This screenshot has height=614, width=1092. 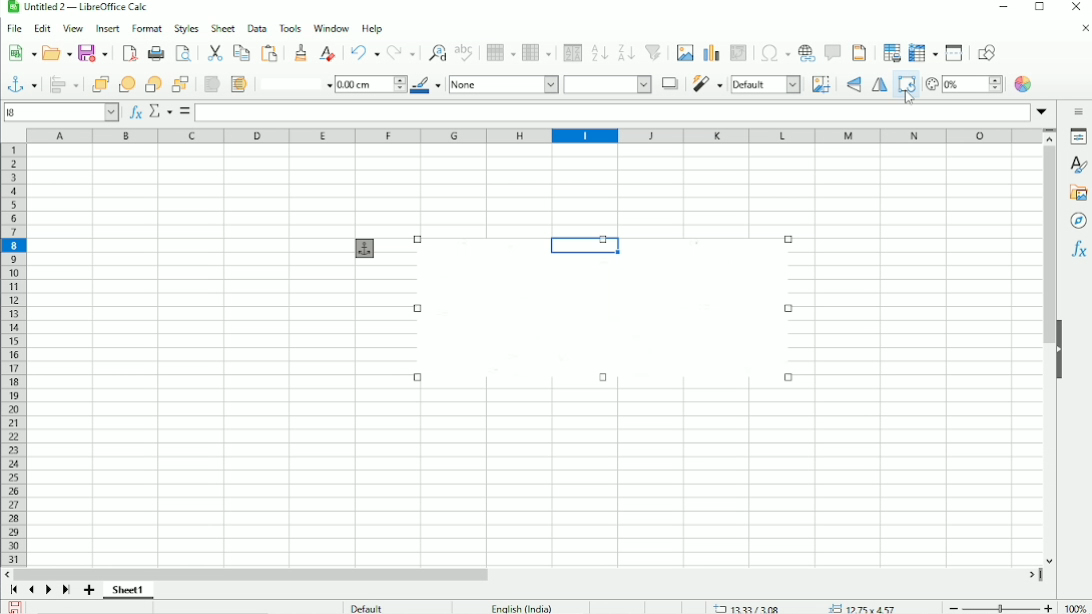 I want to click on Sort ascending, so click(x=599, y=53).